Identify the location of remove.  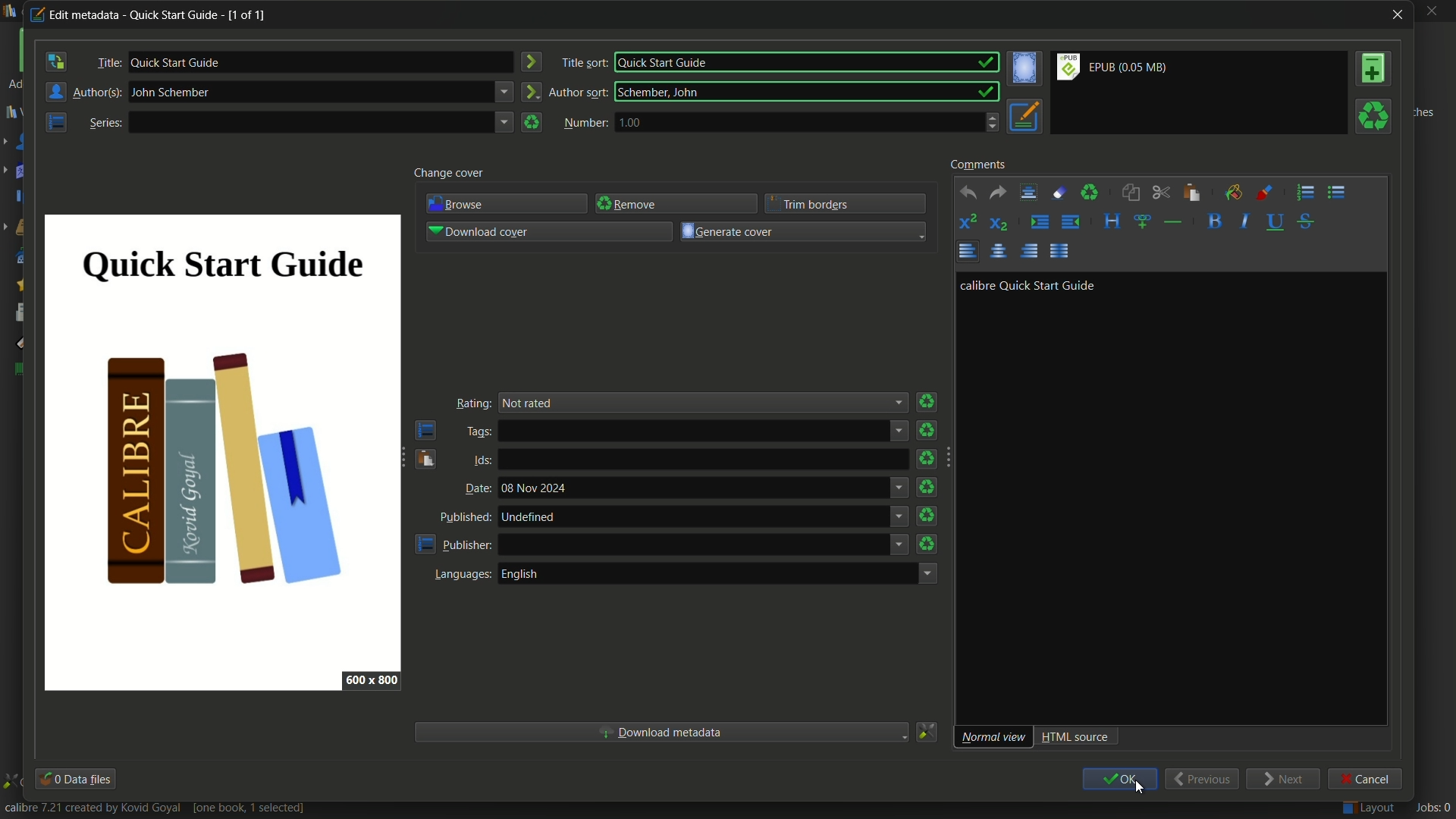
(626, 202).